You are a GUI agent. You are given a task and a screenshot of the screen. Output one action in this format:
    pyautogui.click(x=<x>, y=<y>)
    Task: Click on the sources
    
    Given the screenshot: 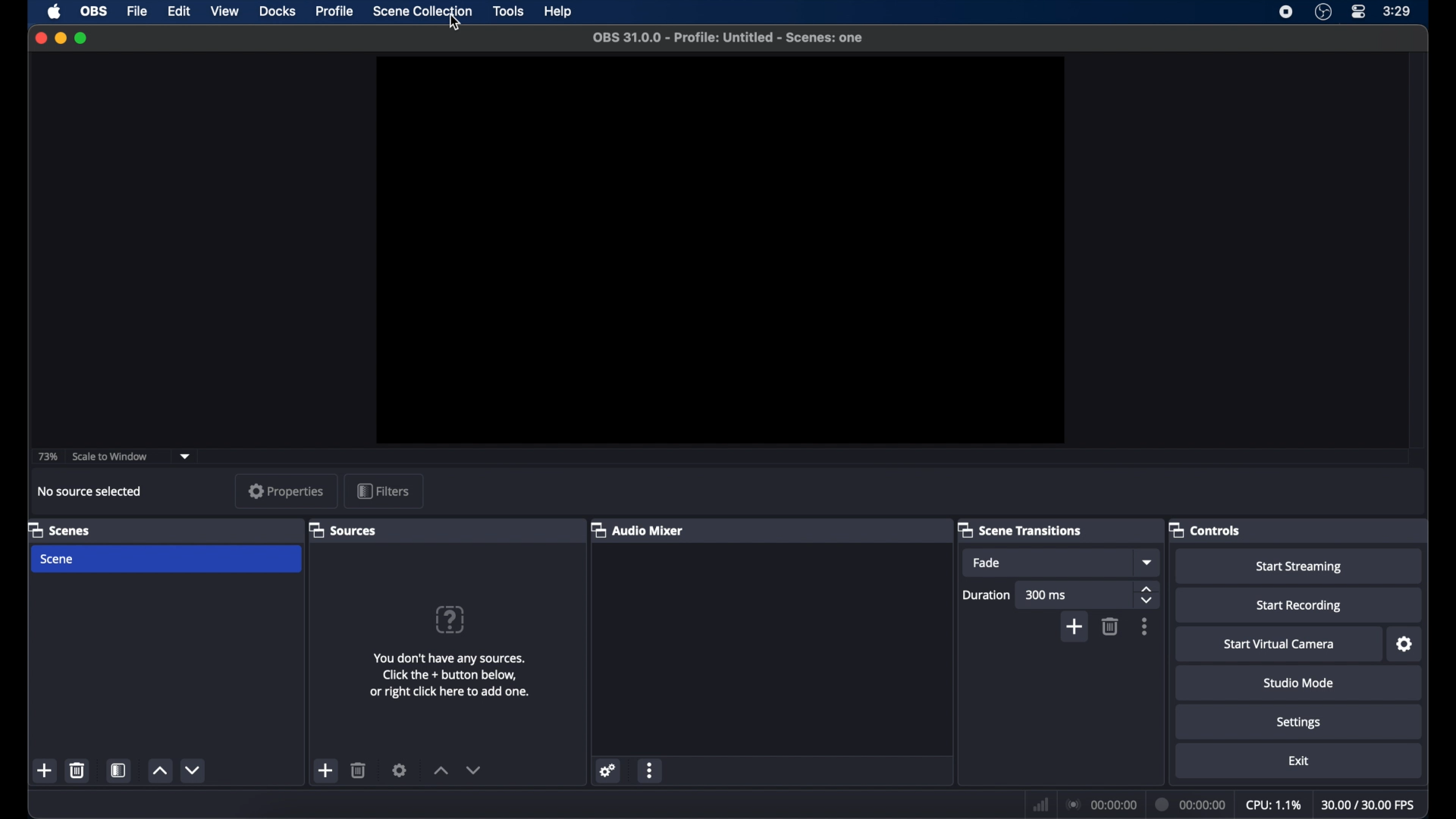 What is the action you would take?
    pyautogui.click(x=342, y=529)
    